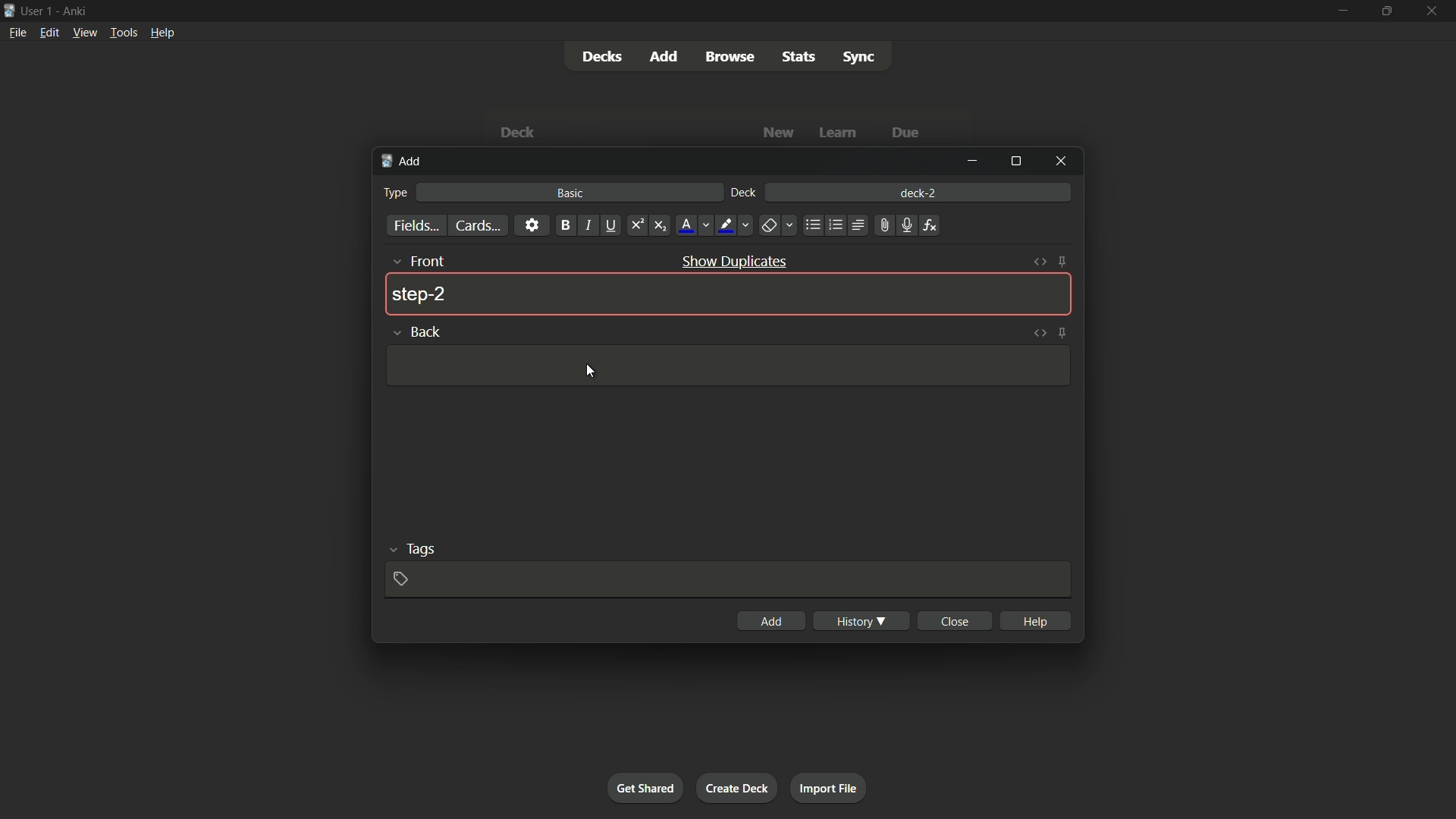 The image size is (1456, 819). What do you see at coordinates (745, 193) in the screenshot?
I see `deck` at bounding box center [745, 193].